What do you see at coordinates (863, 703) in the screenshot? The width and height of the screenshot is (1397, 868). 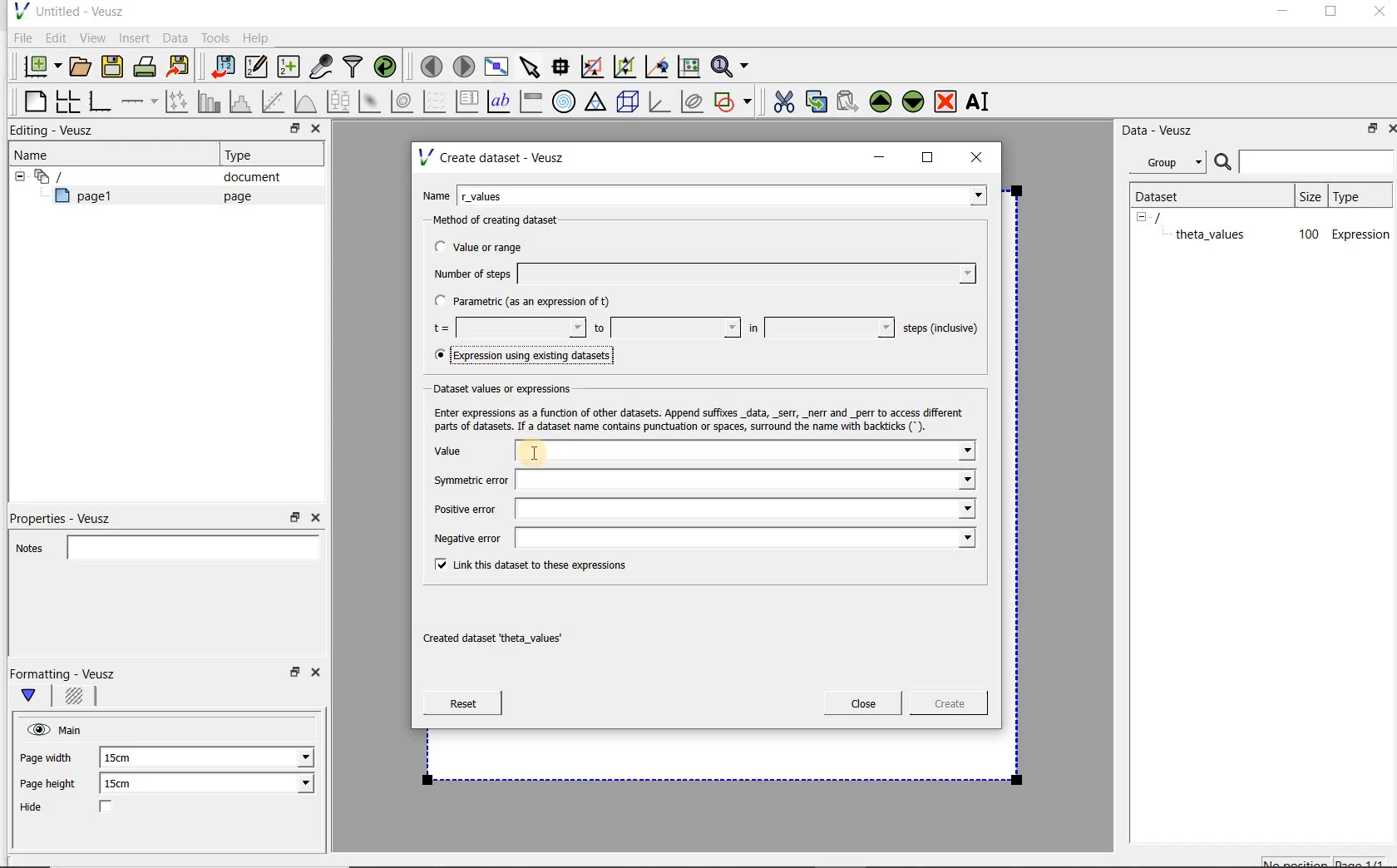 I see `Close` at bounding box center [863, 703].